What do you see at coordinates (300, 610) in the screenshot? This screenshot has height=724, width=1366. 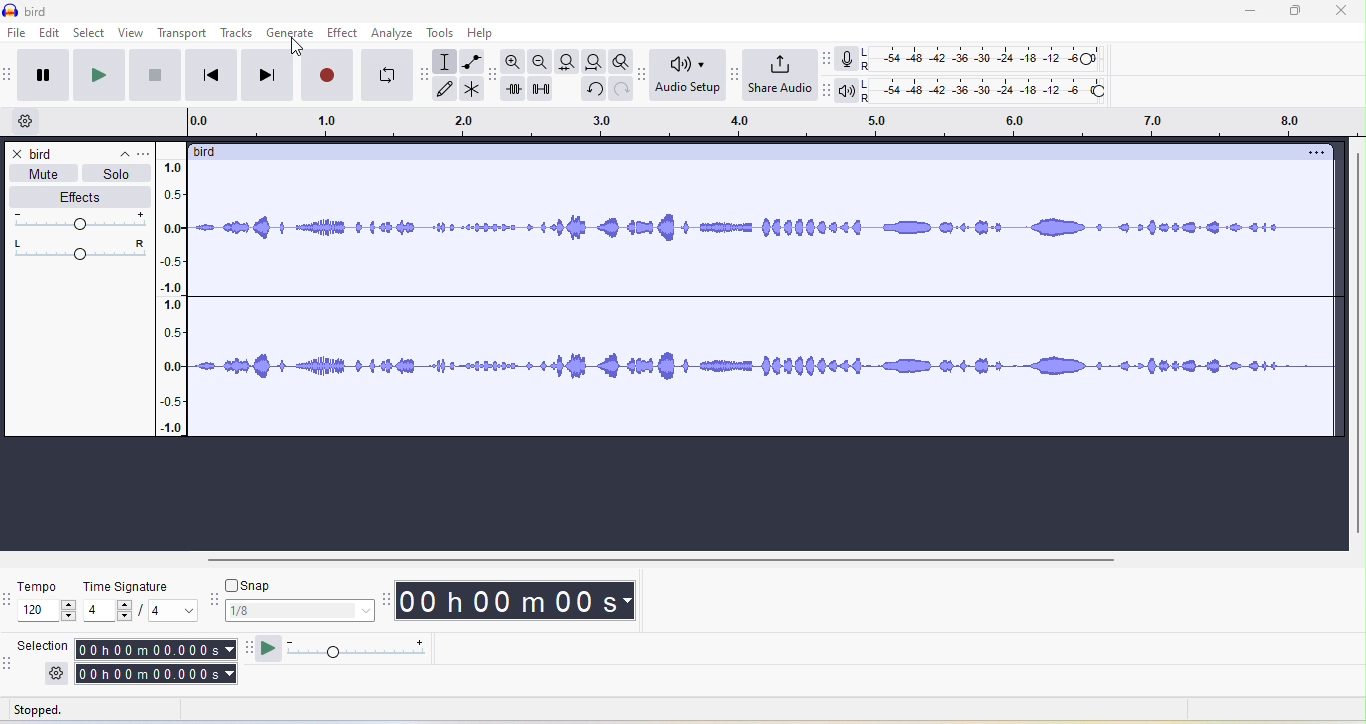 I see `1/8` at bounding box center [300, 610].